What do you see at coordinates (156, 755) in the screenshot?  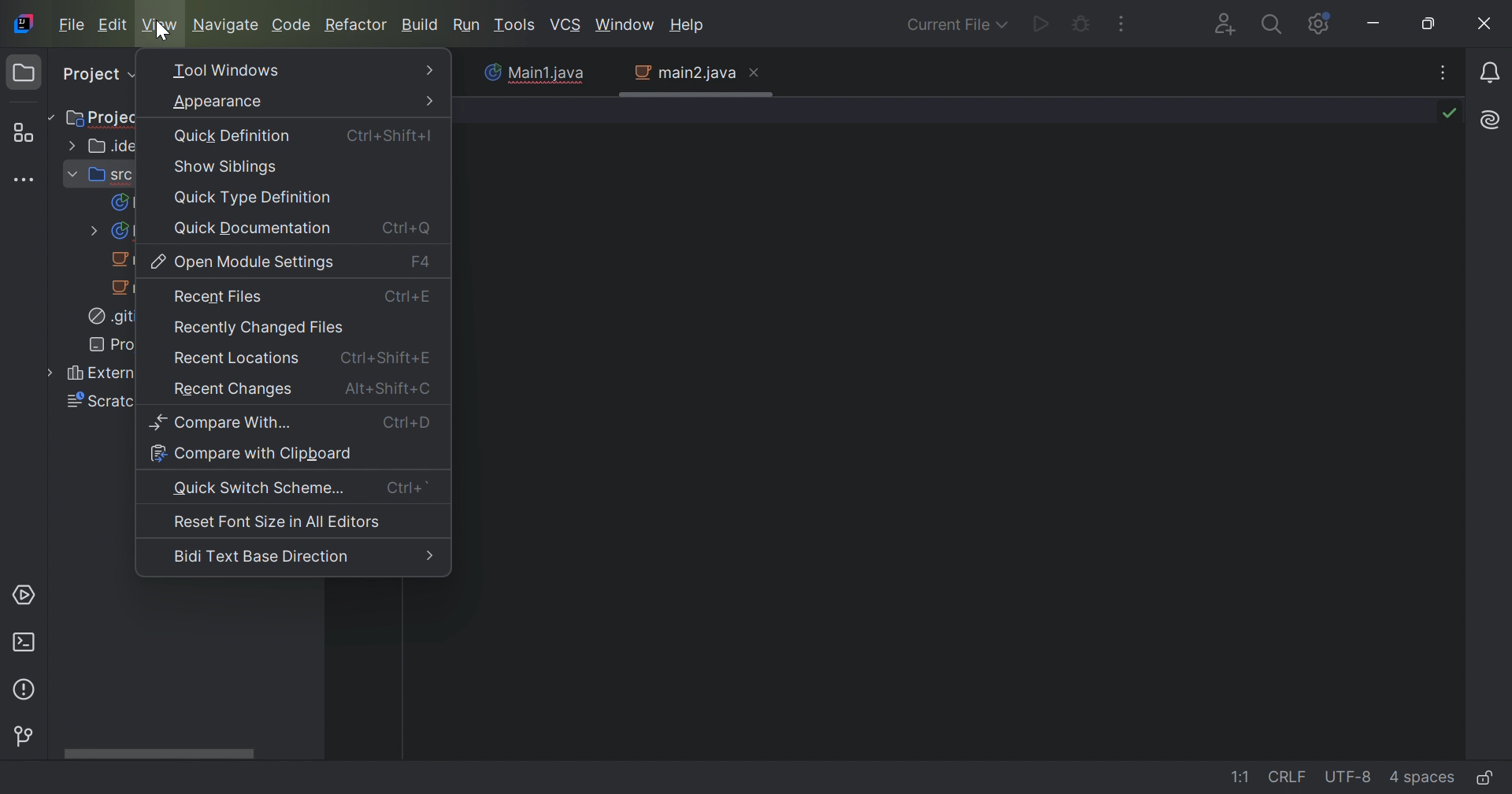 I see `Scroll bar` at bounding box center [156, 755].